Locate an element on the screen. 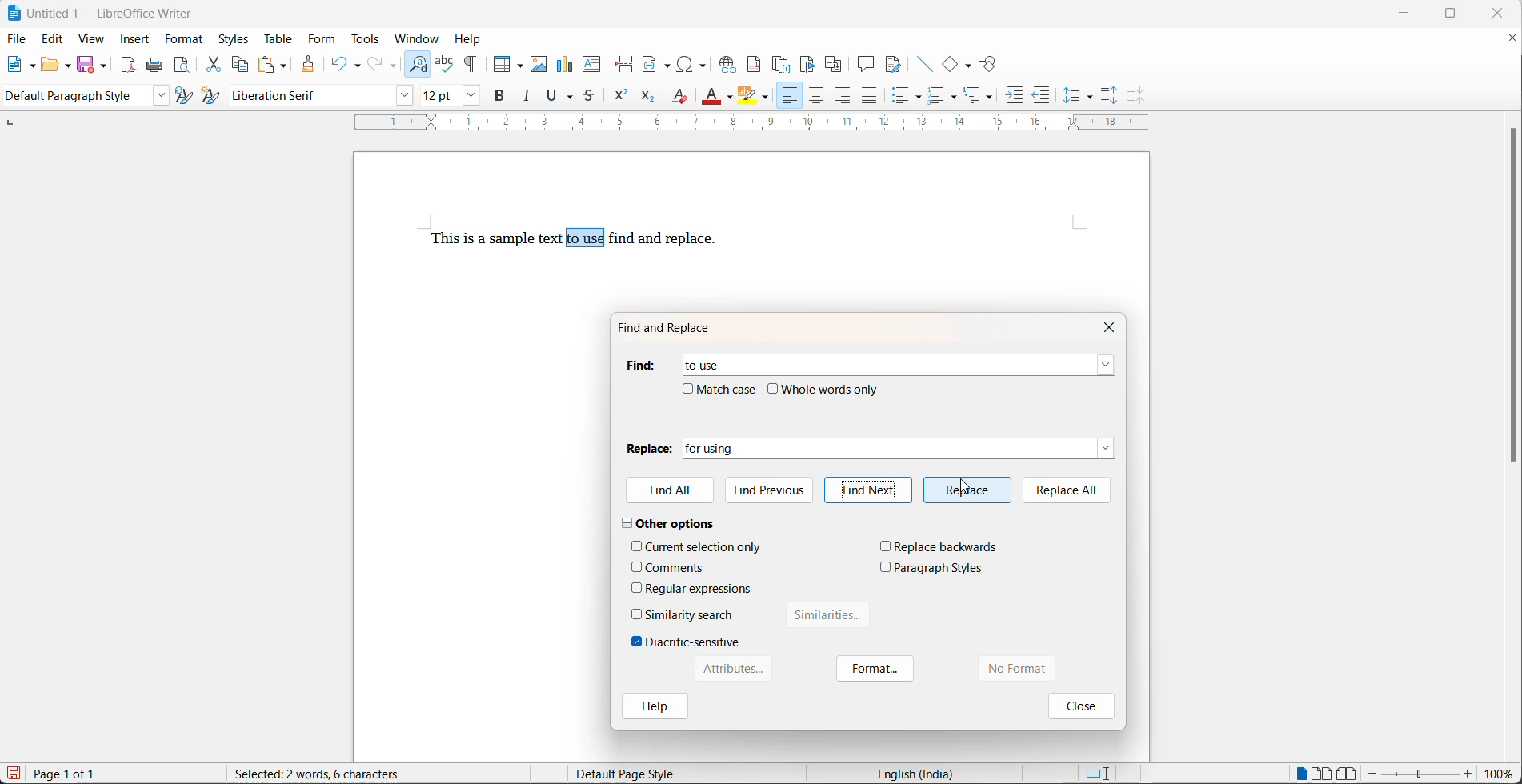  line spacing is located at coordinates (1091, 98).